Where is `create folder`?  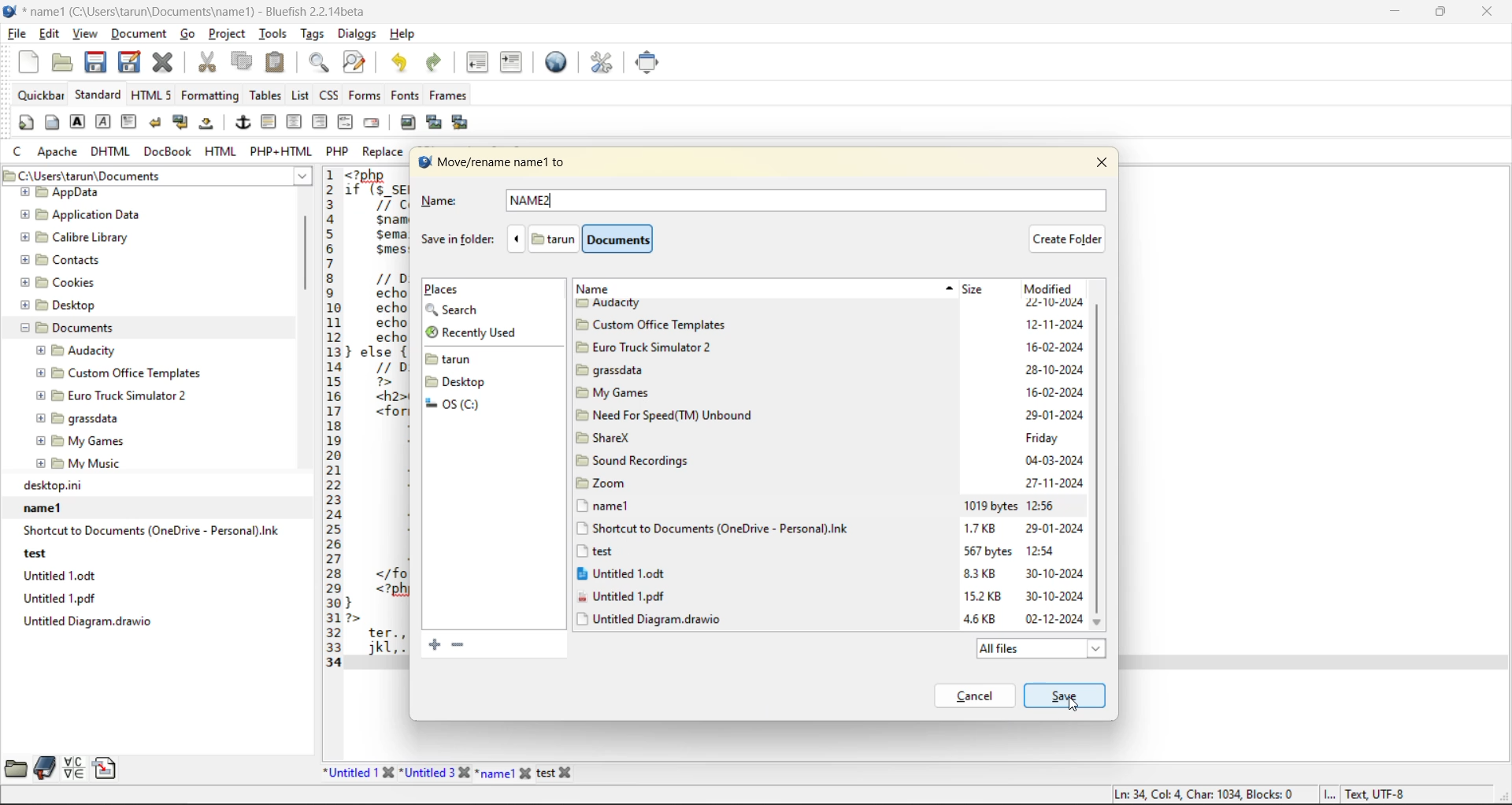
create folder is located at coordinates (1073, 239).